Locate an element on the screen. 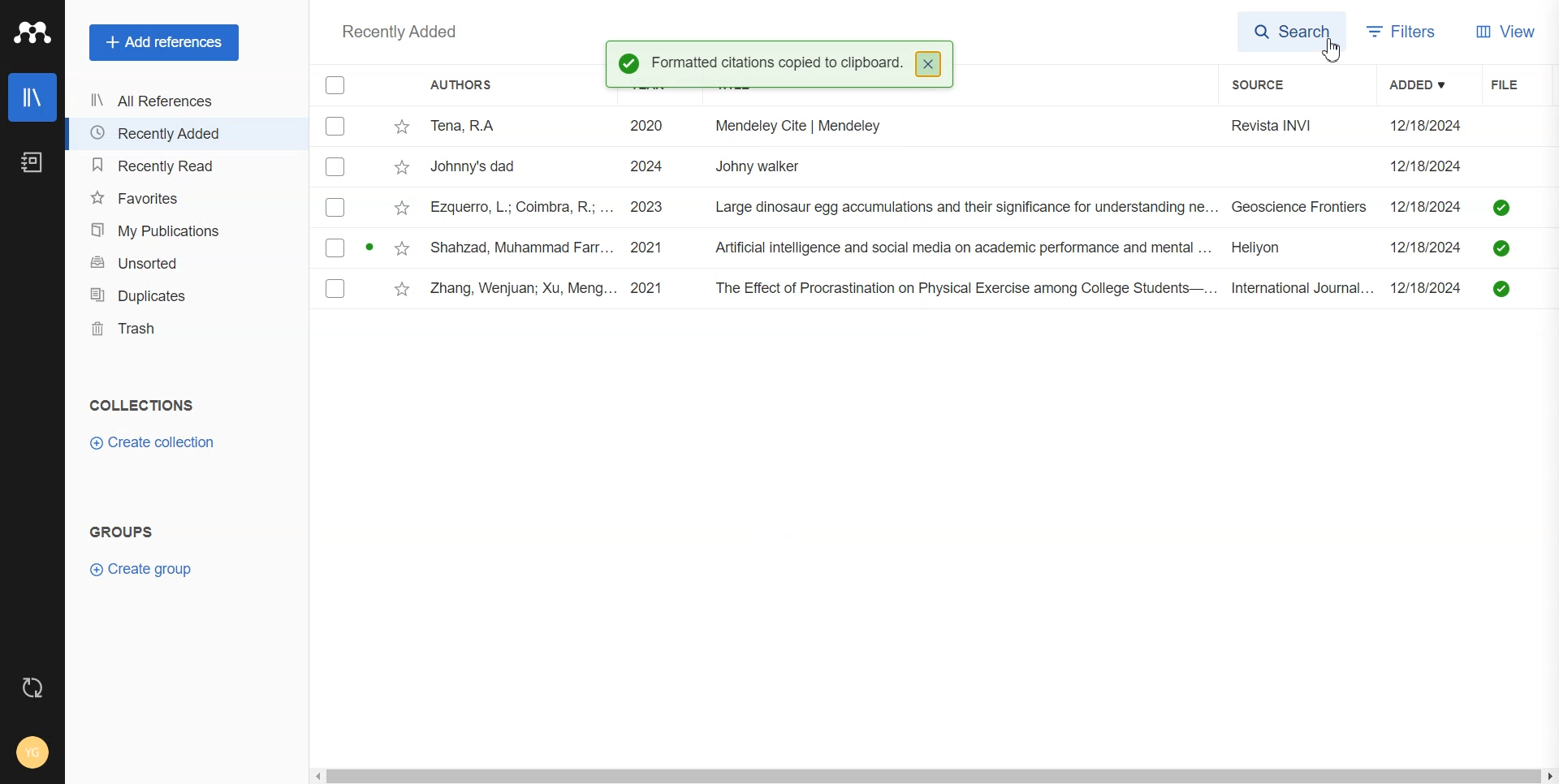 This screenshot has height=784, width=1559. Checkbox is located at coordinates (335, 289).